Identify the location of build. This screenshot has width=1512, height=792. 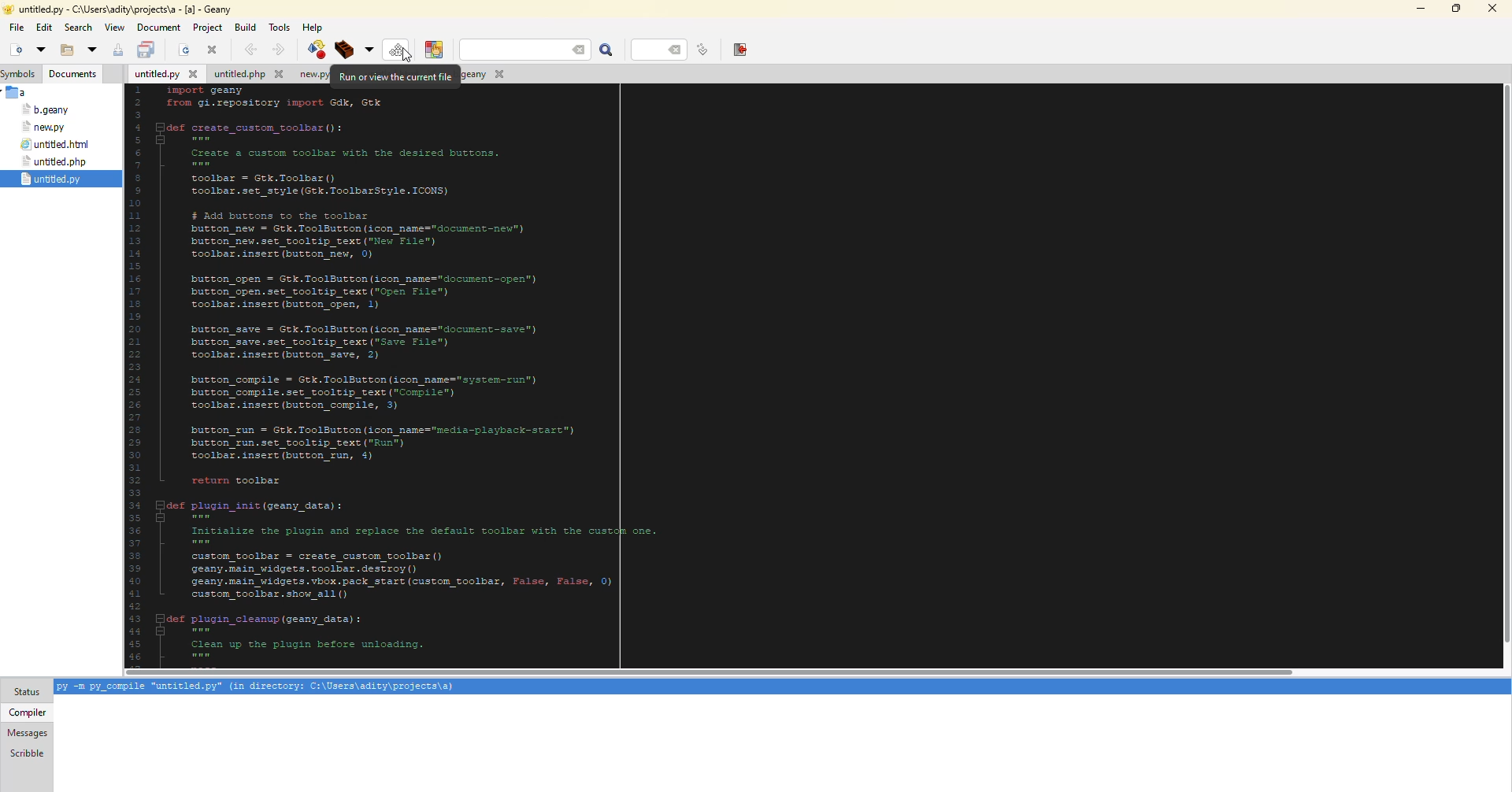
(353, 49).